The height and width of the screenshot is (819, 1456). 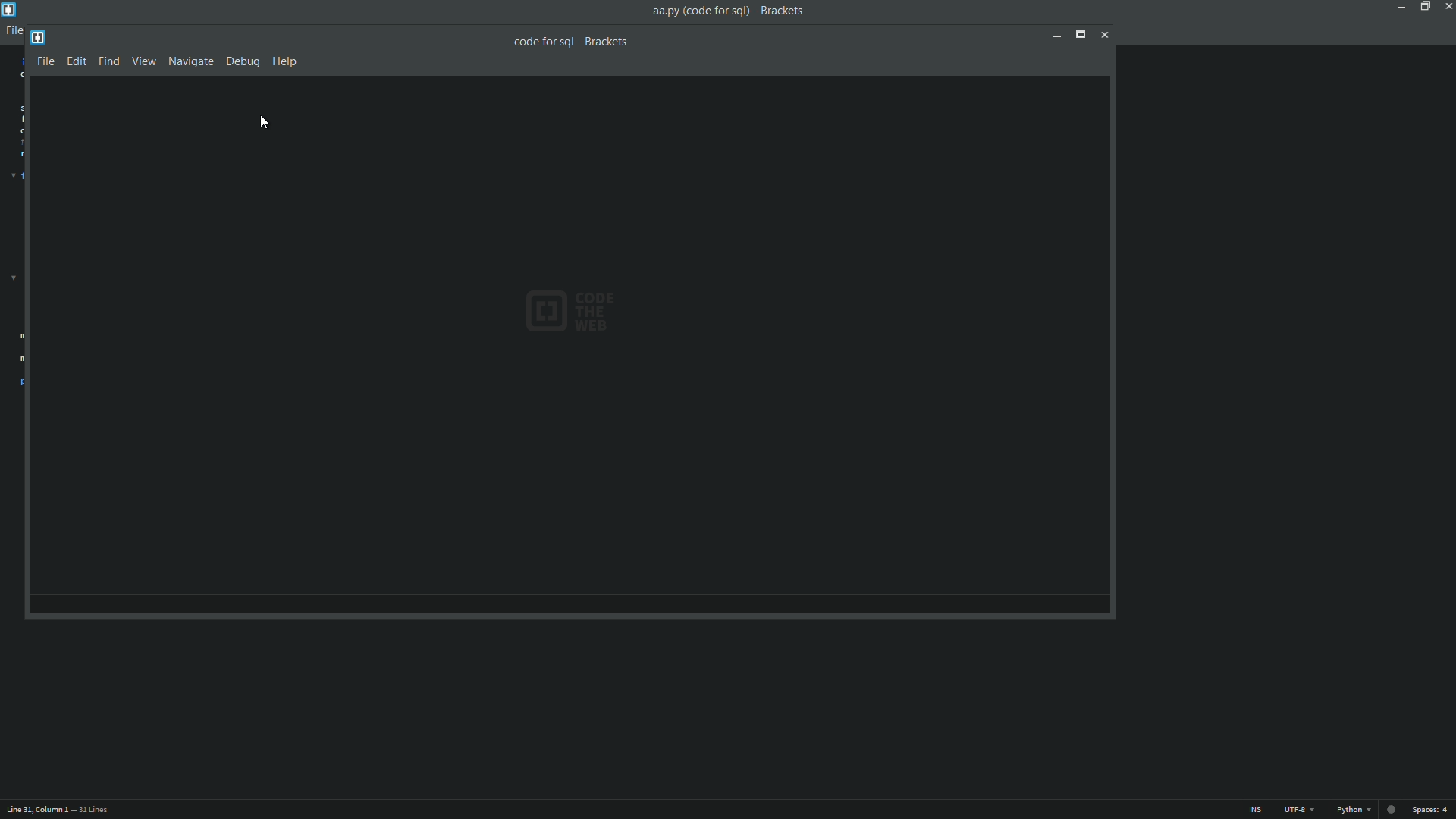 I want to click on Debug, so click(x=244, y=61).